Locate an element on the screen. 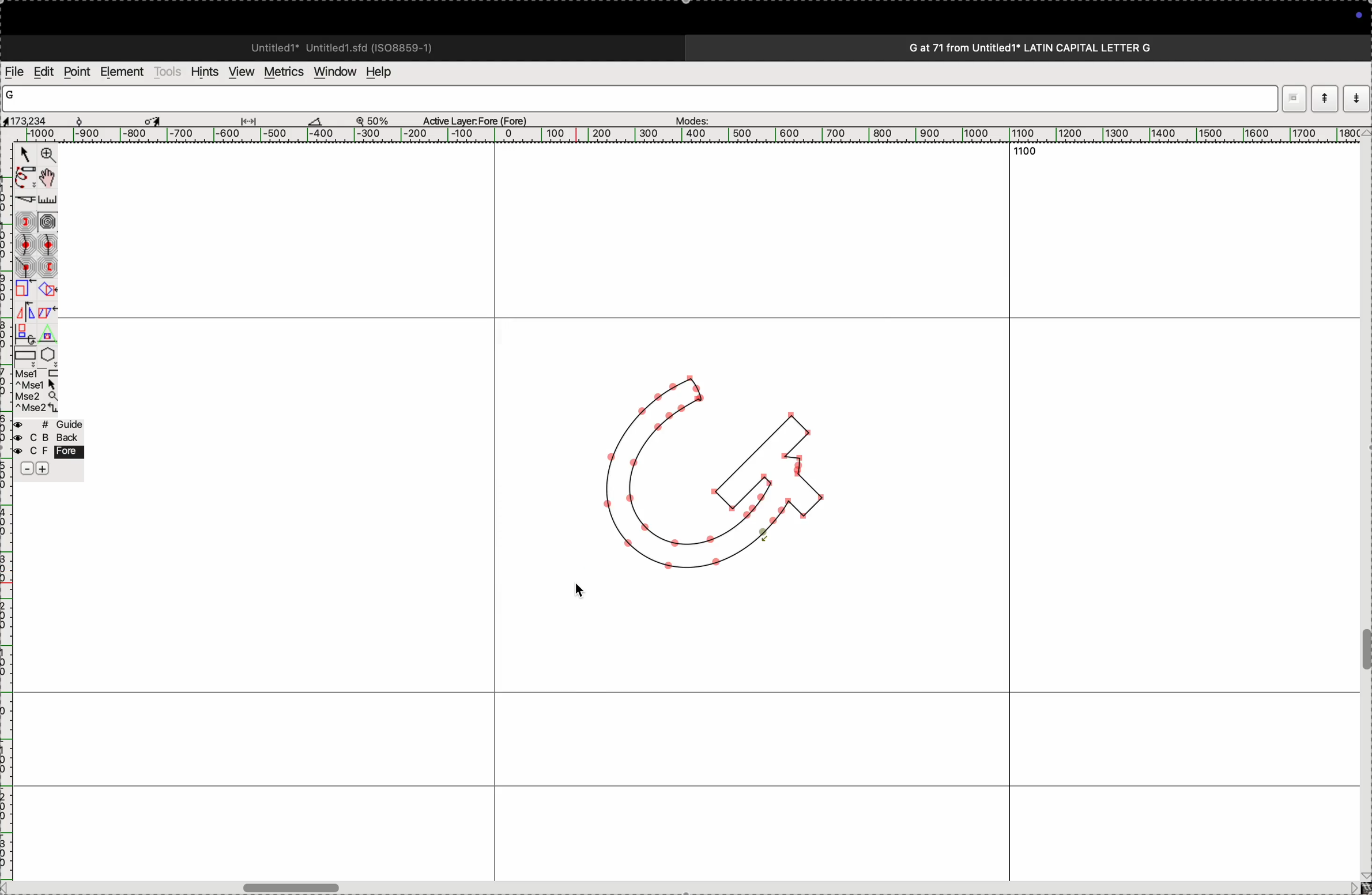  ruler is located at coordinates (47, 200).